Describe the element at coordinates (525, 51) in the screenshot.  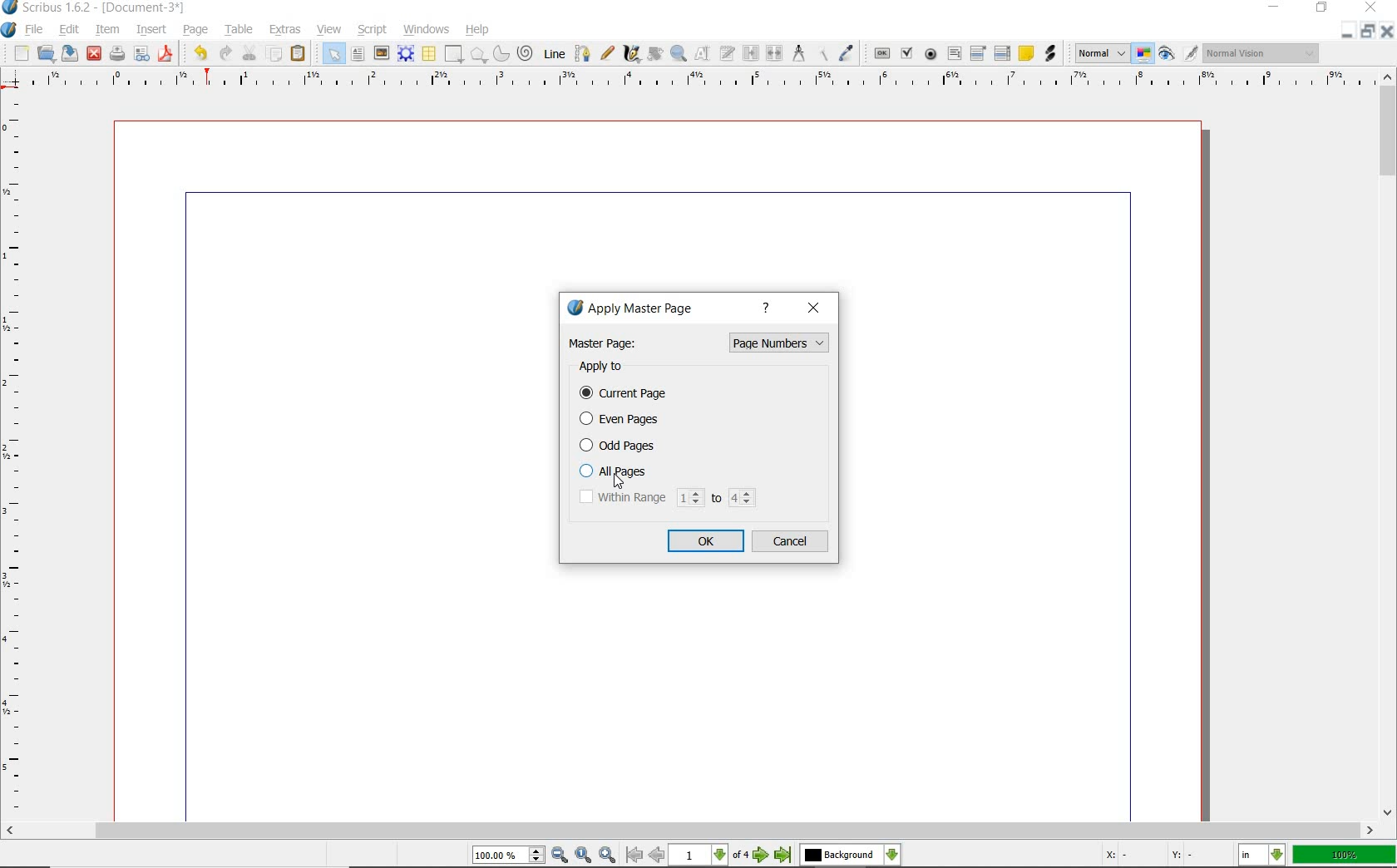
I see `spiral` at that location.